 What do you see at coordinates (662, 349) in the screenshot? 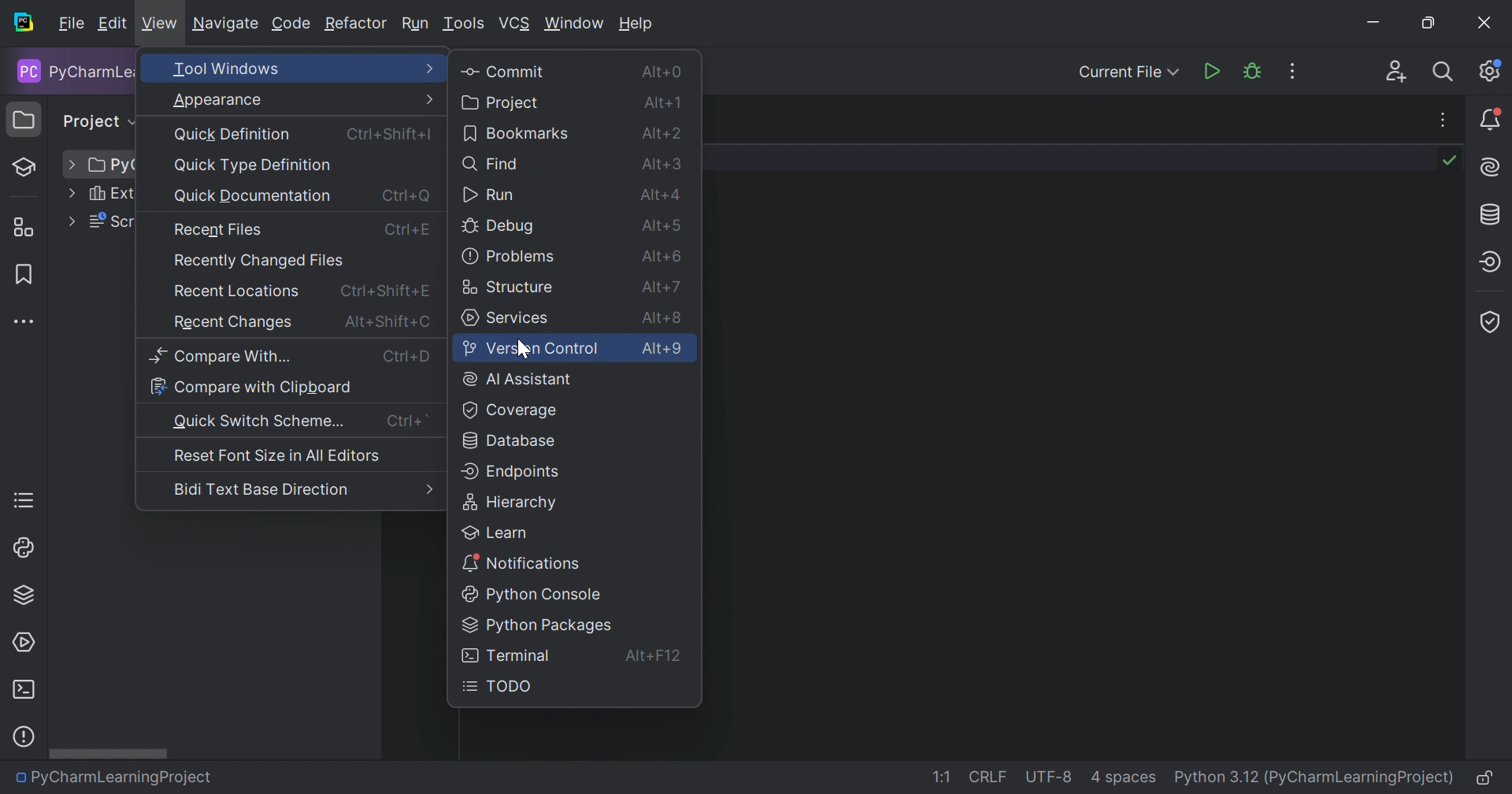
I see `Alt+9` at bounding box center [662, 349].